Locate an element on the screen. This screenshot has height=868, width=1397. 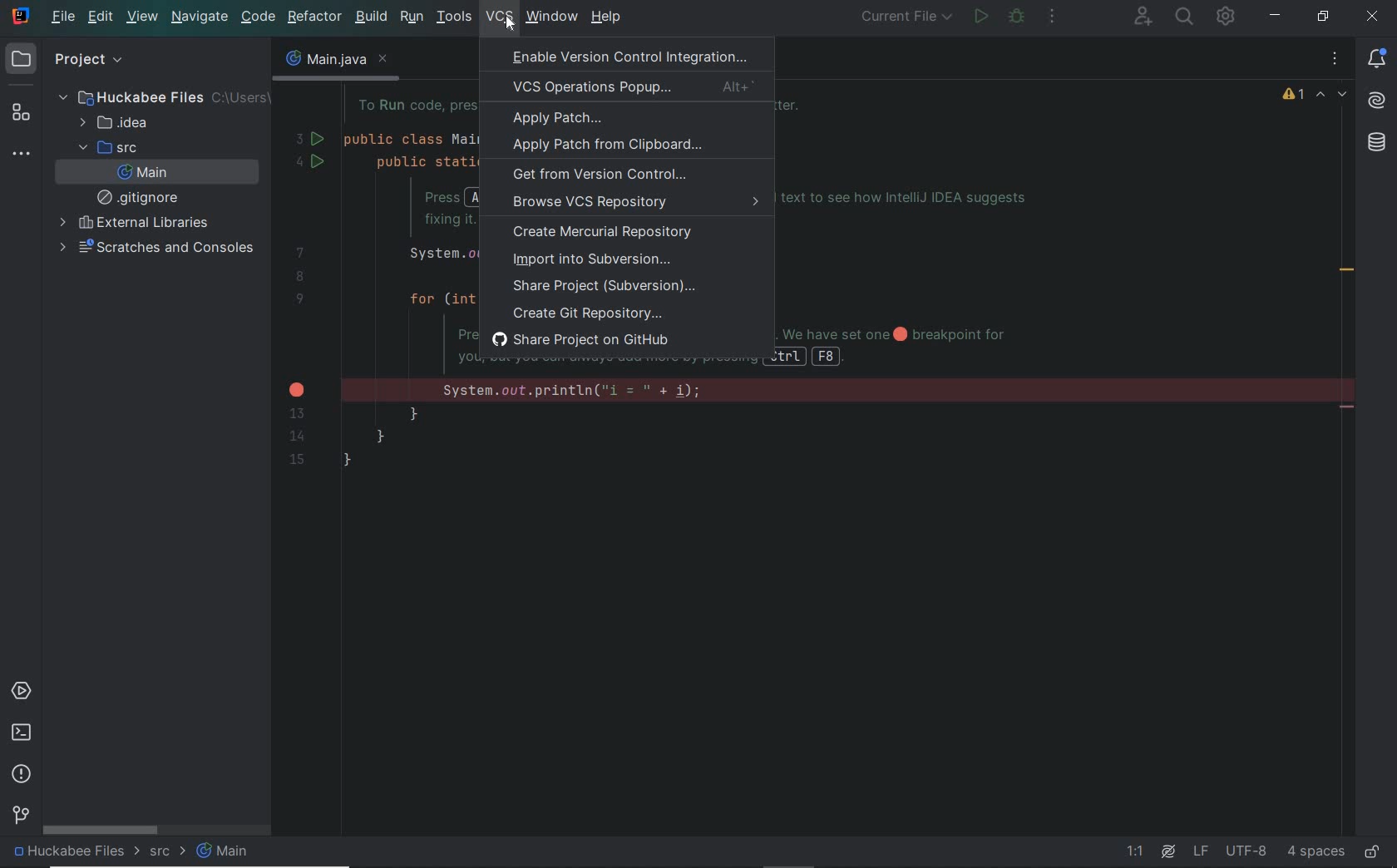
CLOSE is located at coordinates (1374, 17).